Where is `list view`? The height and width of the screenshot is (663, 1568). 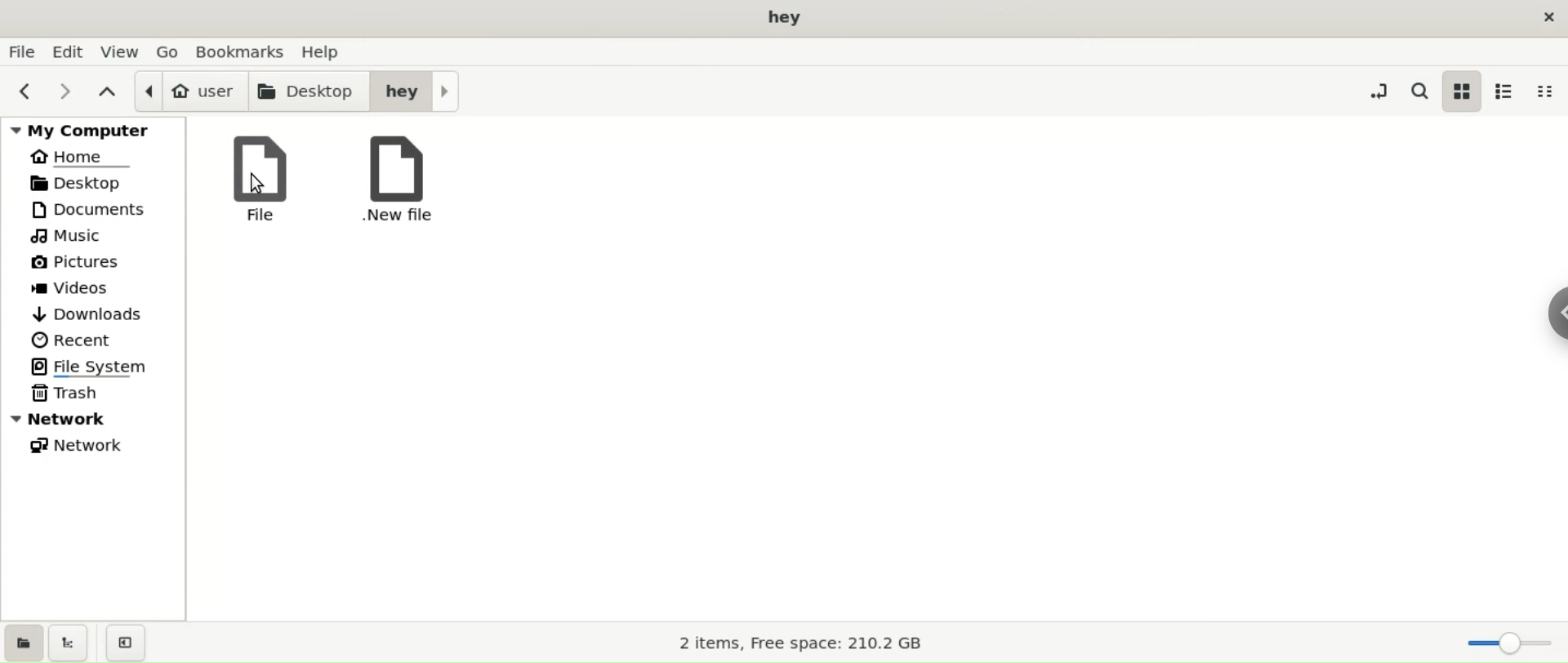 list view is located at coordinates (1506, 93).